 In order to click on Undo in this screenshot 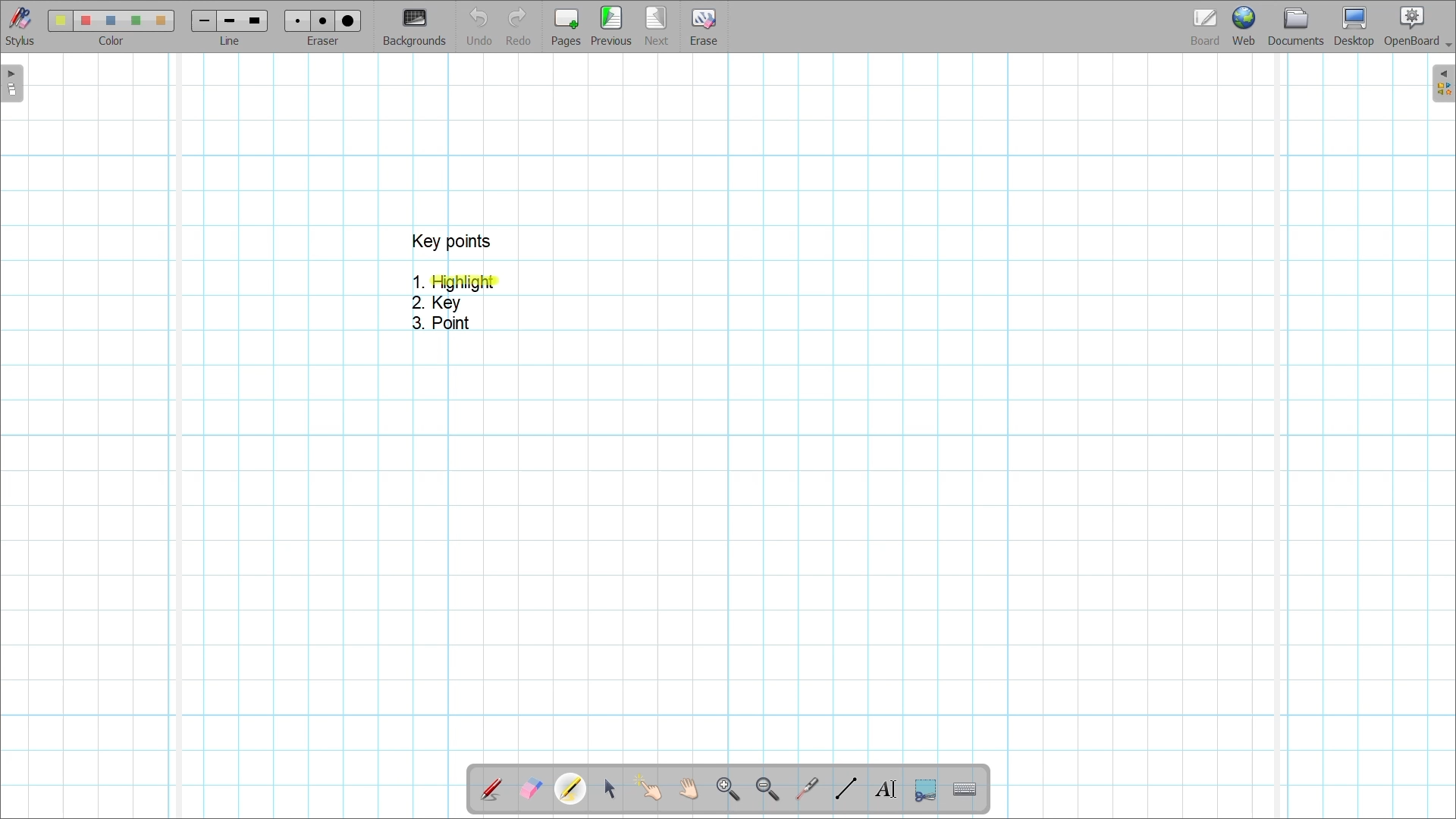, I will do `click(480, 26)`.